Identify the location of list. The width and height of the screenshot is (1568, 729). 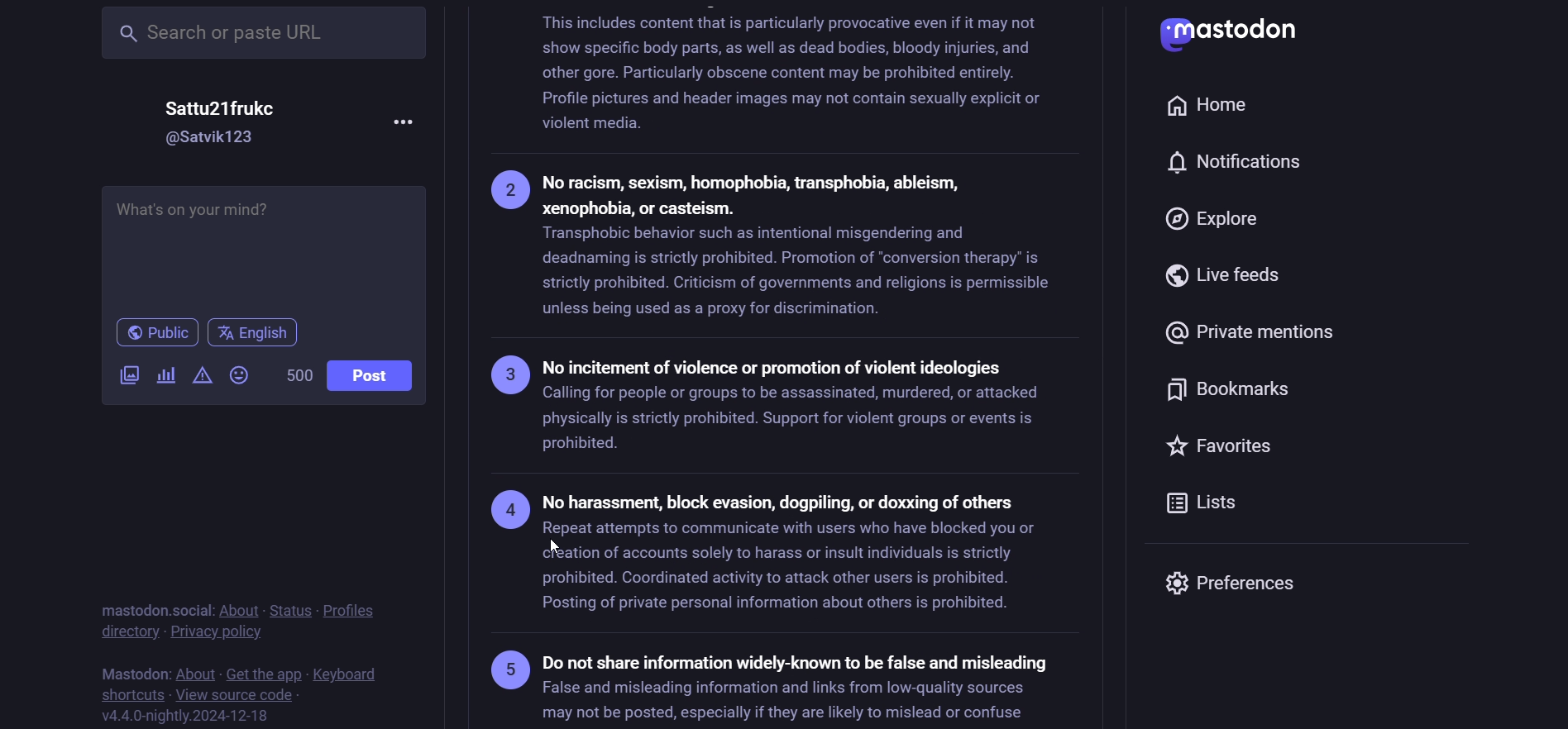
(1215, 507).